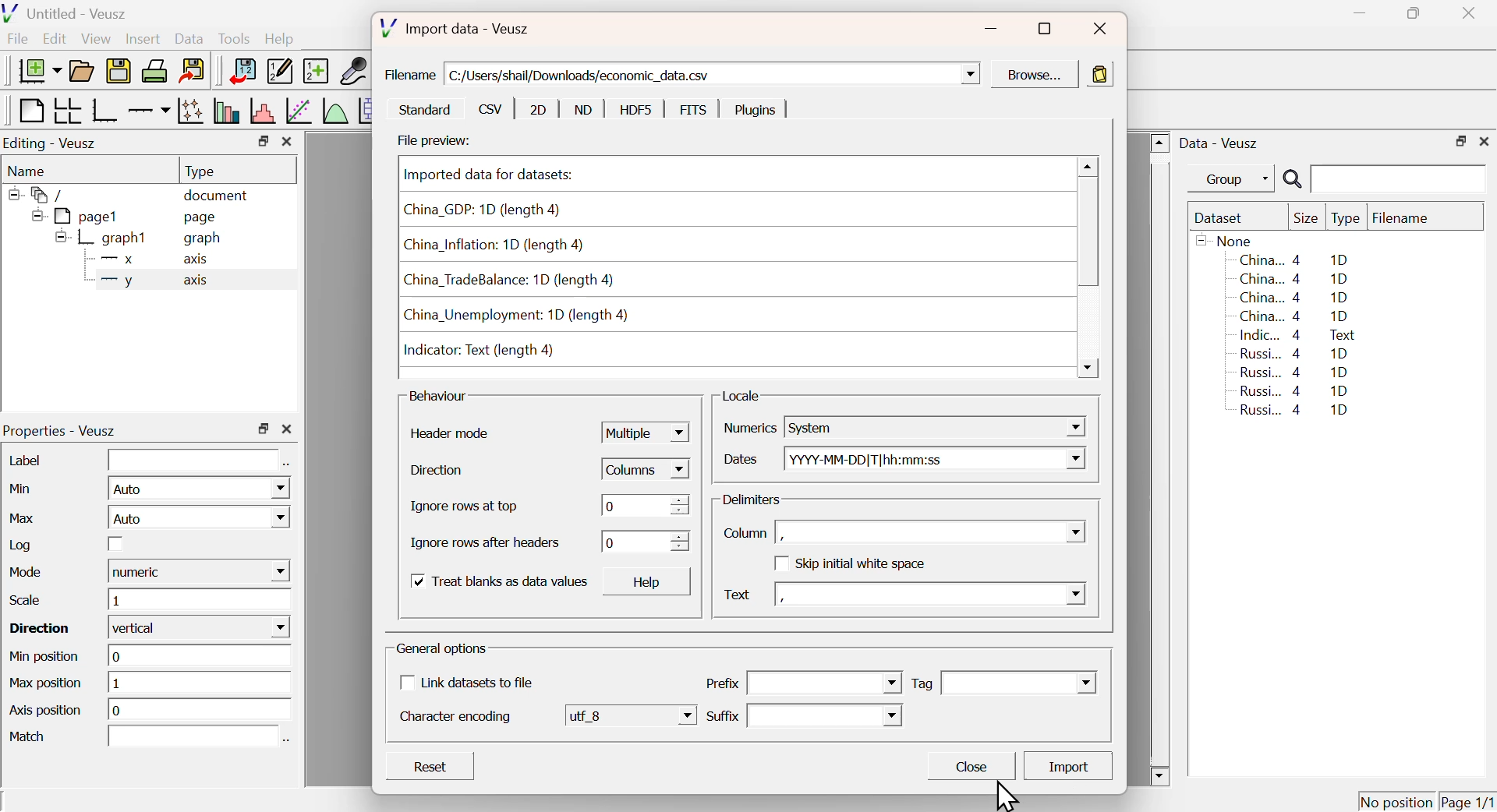  I want to click on Close, so click(973, 768).